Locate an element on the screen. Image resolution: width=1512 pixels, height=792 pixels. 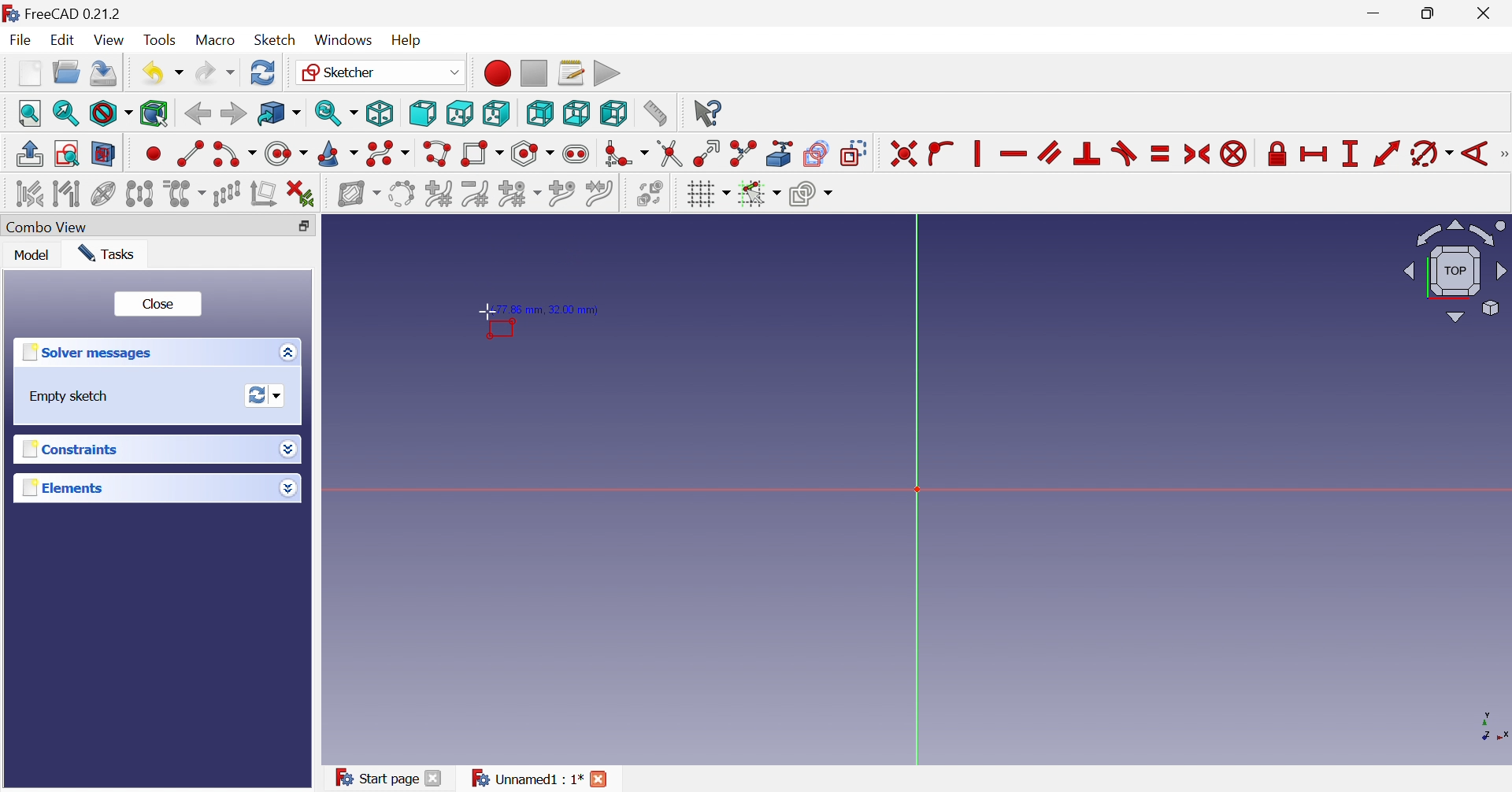
Execute macro is located at coordinates (607, 74).